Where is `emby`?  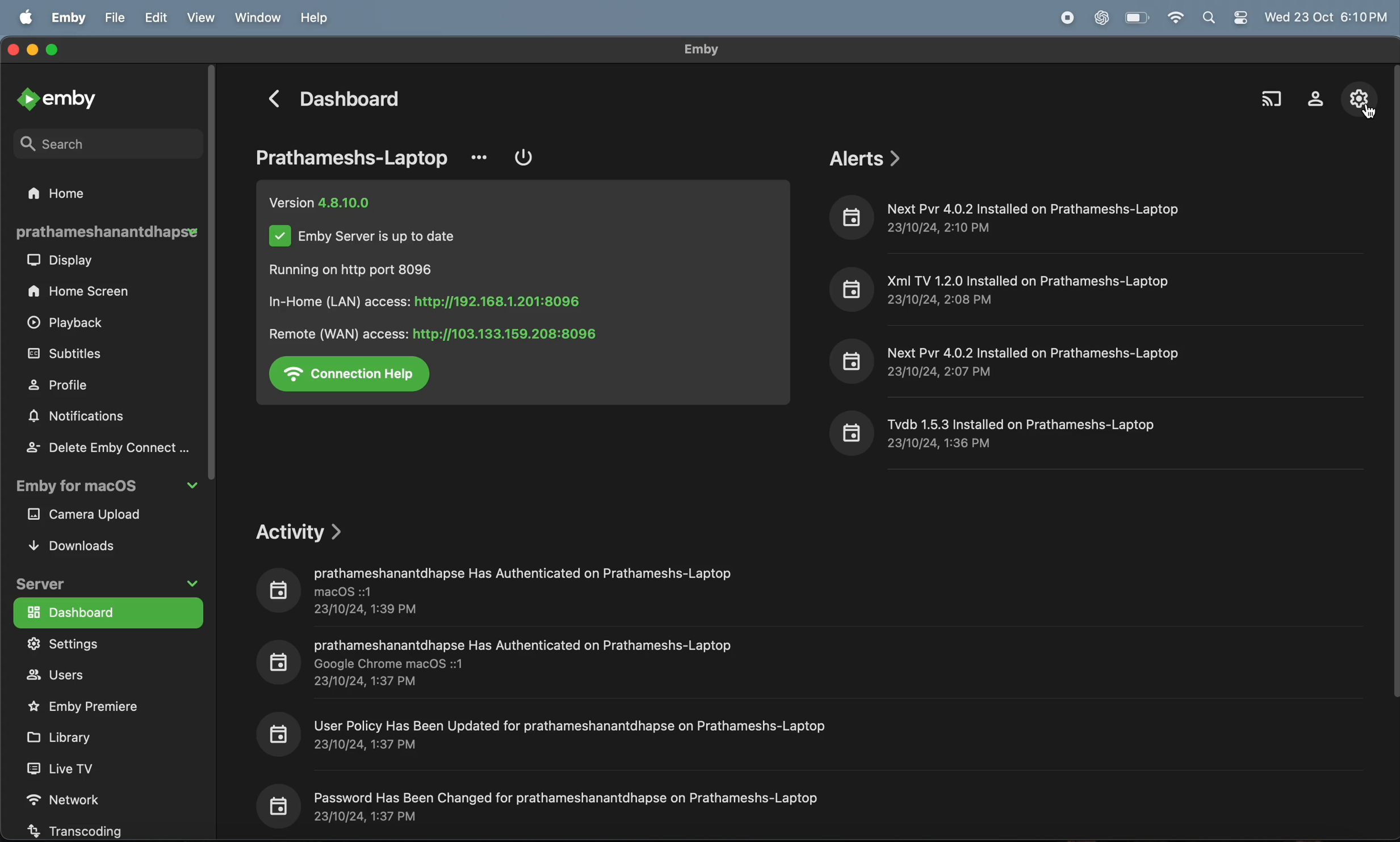
emby is located at coordinates (67, 99).